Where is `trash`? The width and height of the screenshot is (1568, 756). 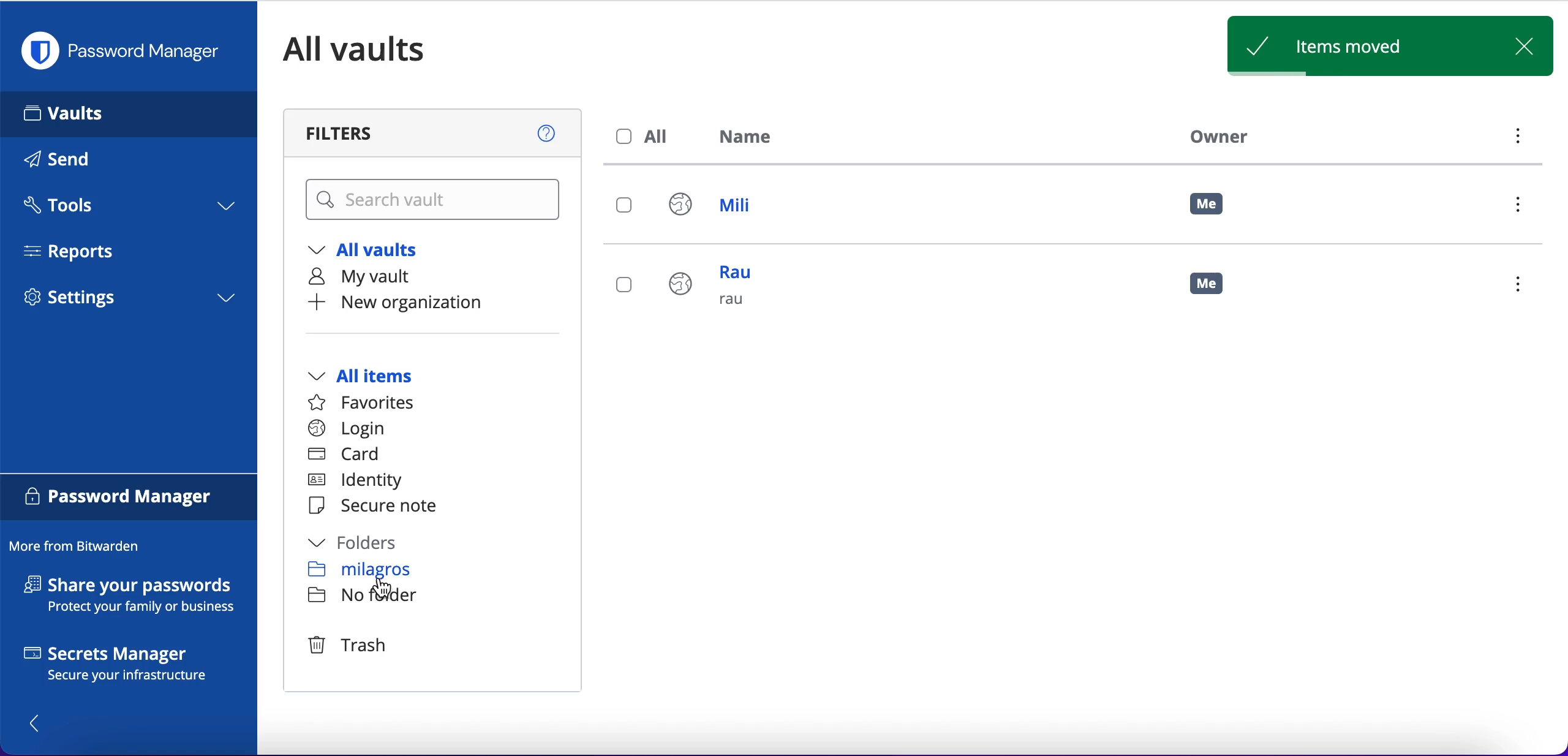
trash is located at coordinates (346, 644).